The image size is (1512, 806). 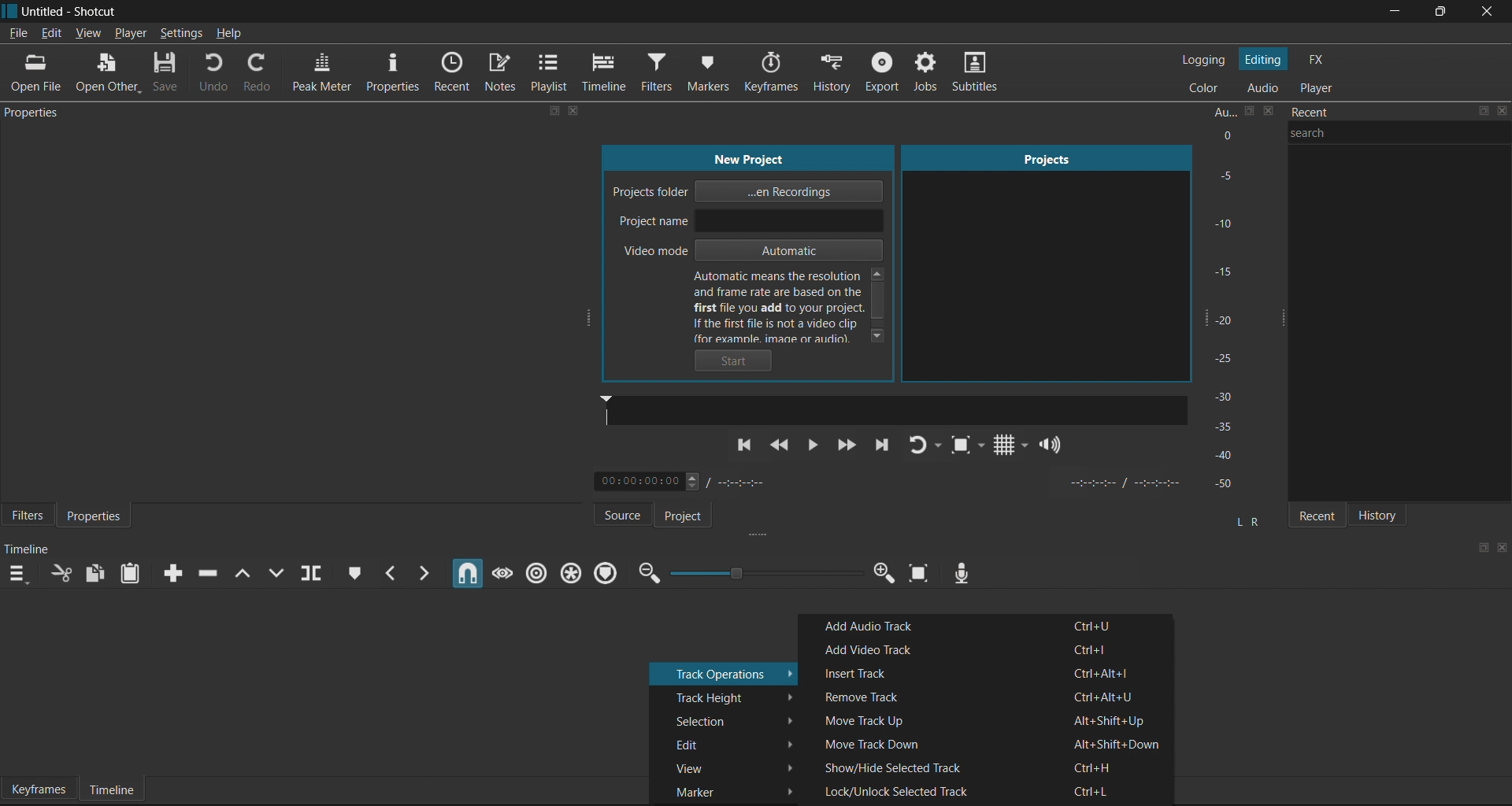 What do you see at coordinates (983, 719) in the screenshot?
I see `Move Track Up` at bounding box center [983, 719].